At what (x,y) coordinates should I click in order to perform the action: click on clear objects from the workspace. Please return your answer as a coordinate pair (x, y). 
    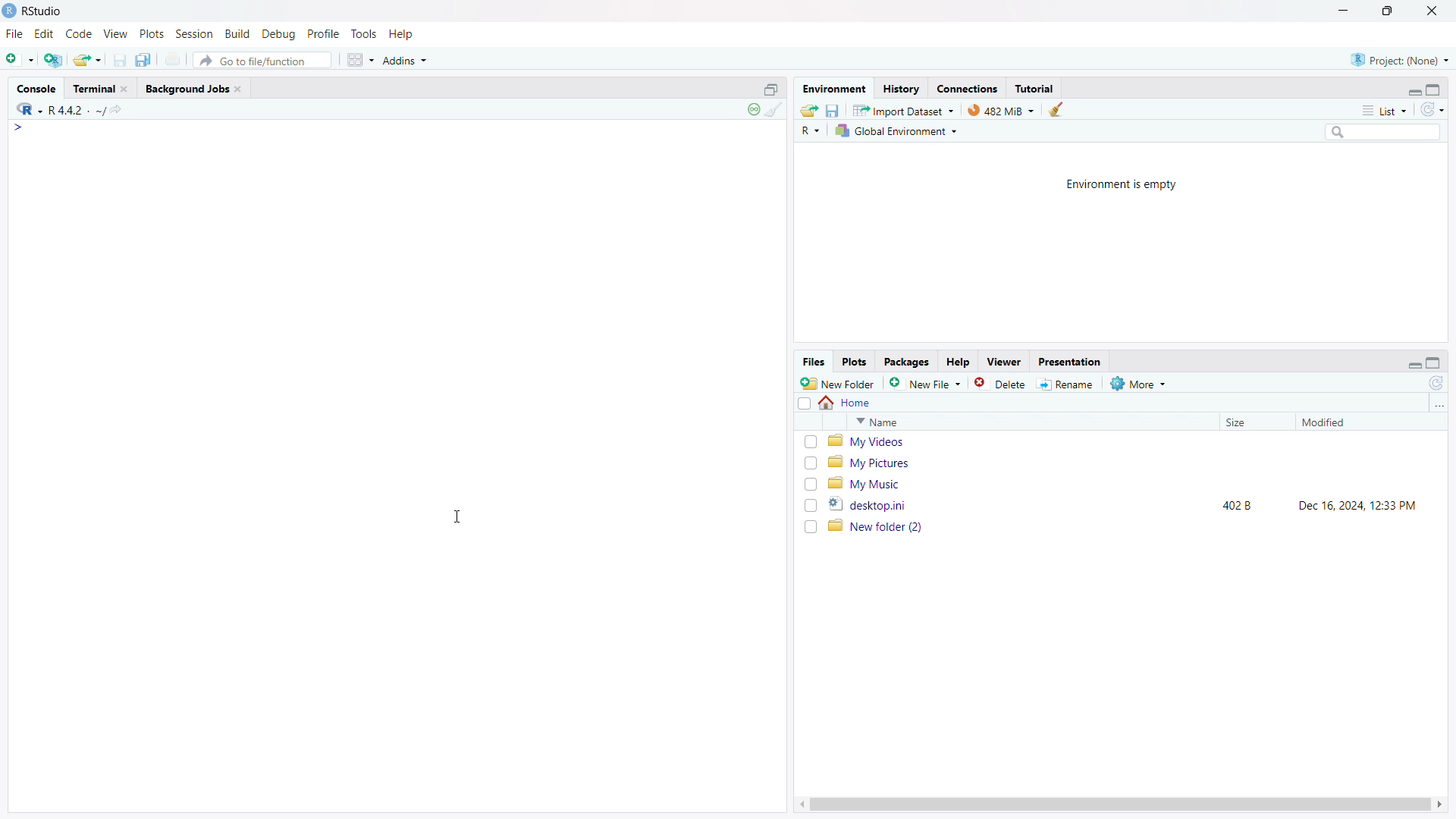
    Looking at the image, I should click on (1055, 109).